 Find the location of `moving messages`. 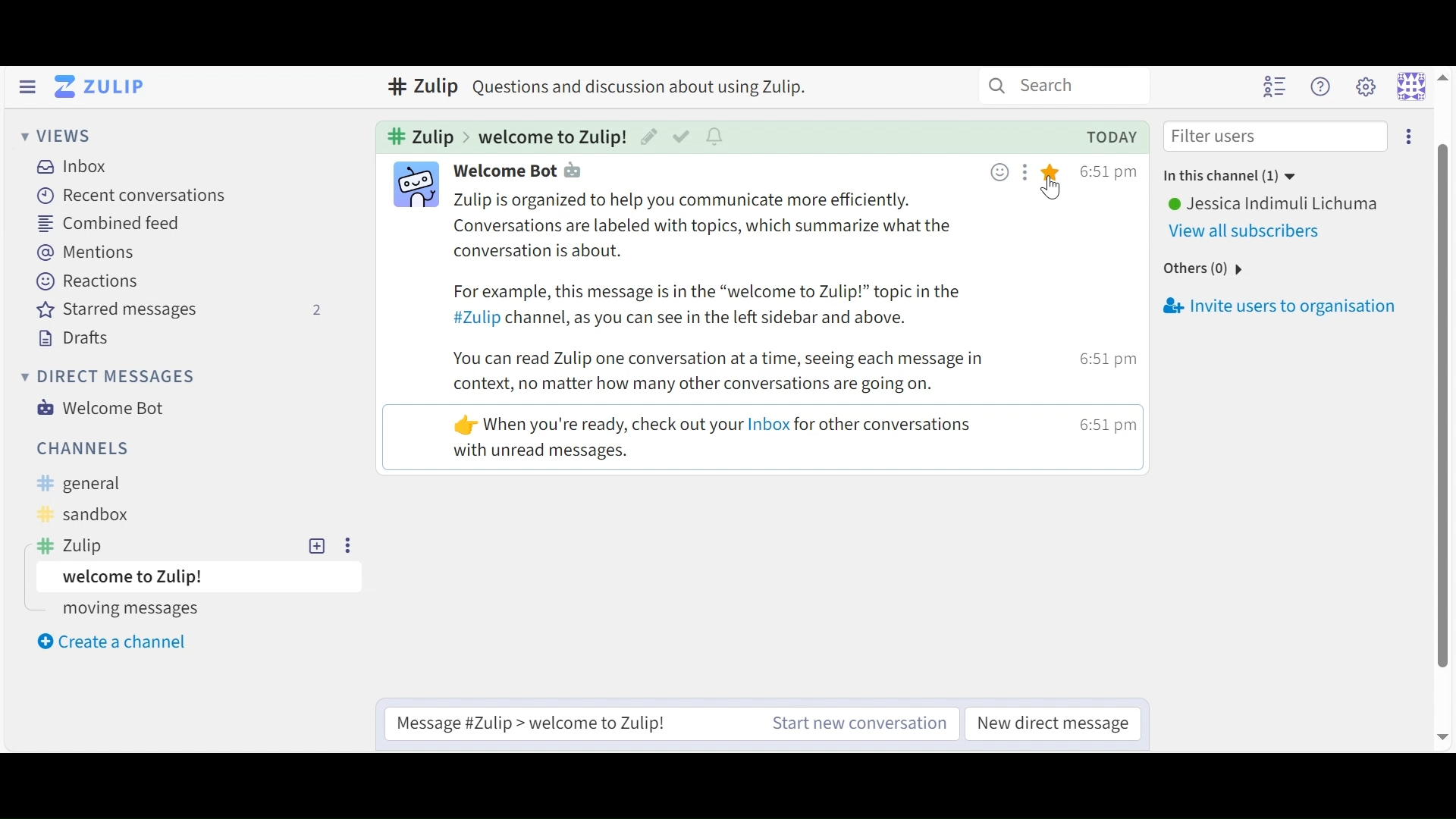

moving messages is located at coordinates (131, 613).